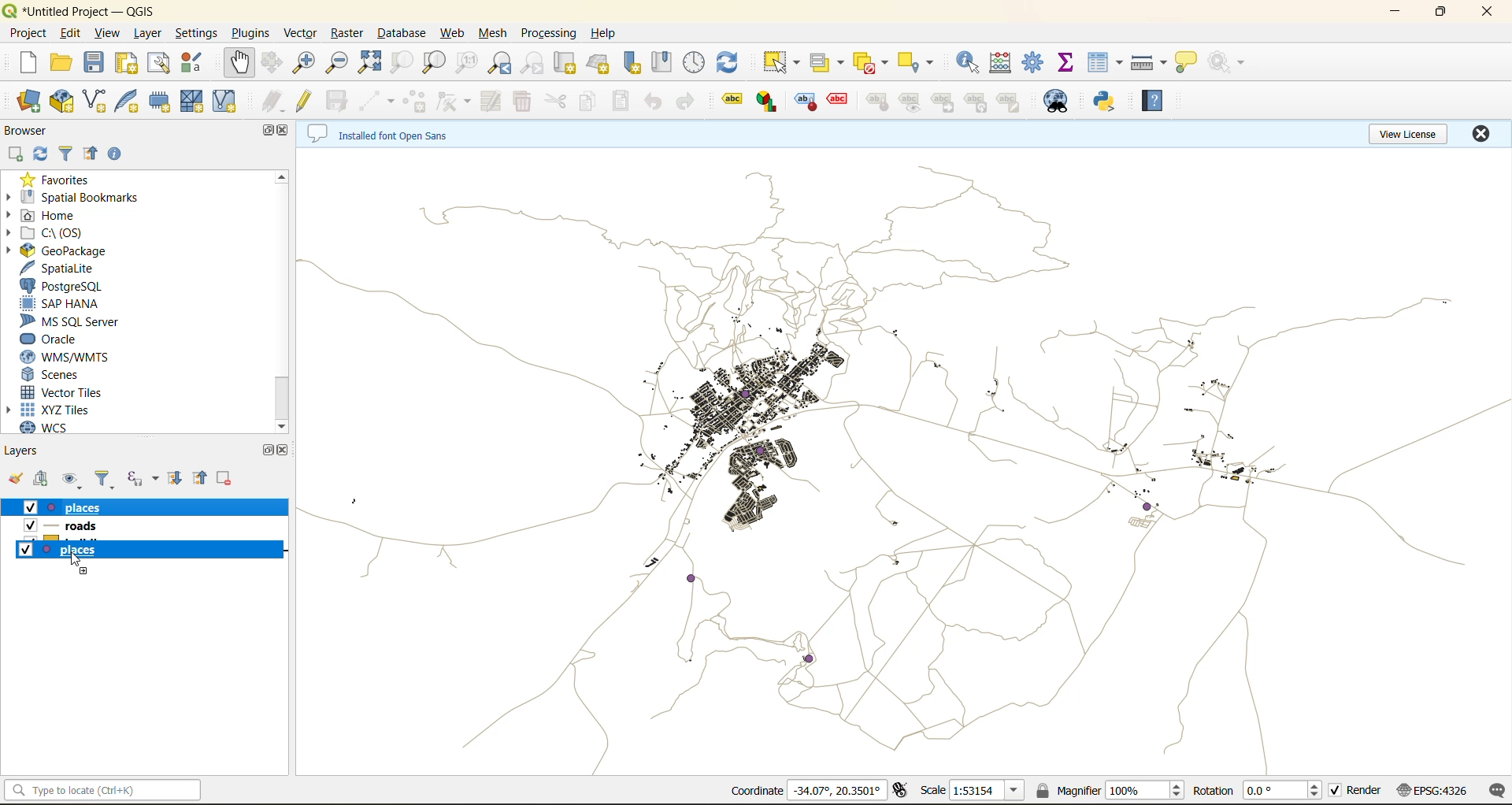  What do you see at coordinates (637, 61) in the screenshot?
I see `new spatial bookmark` at bounding box center [637, 61].